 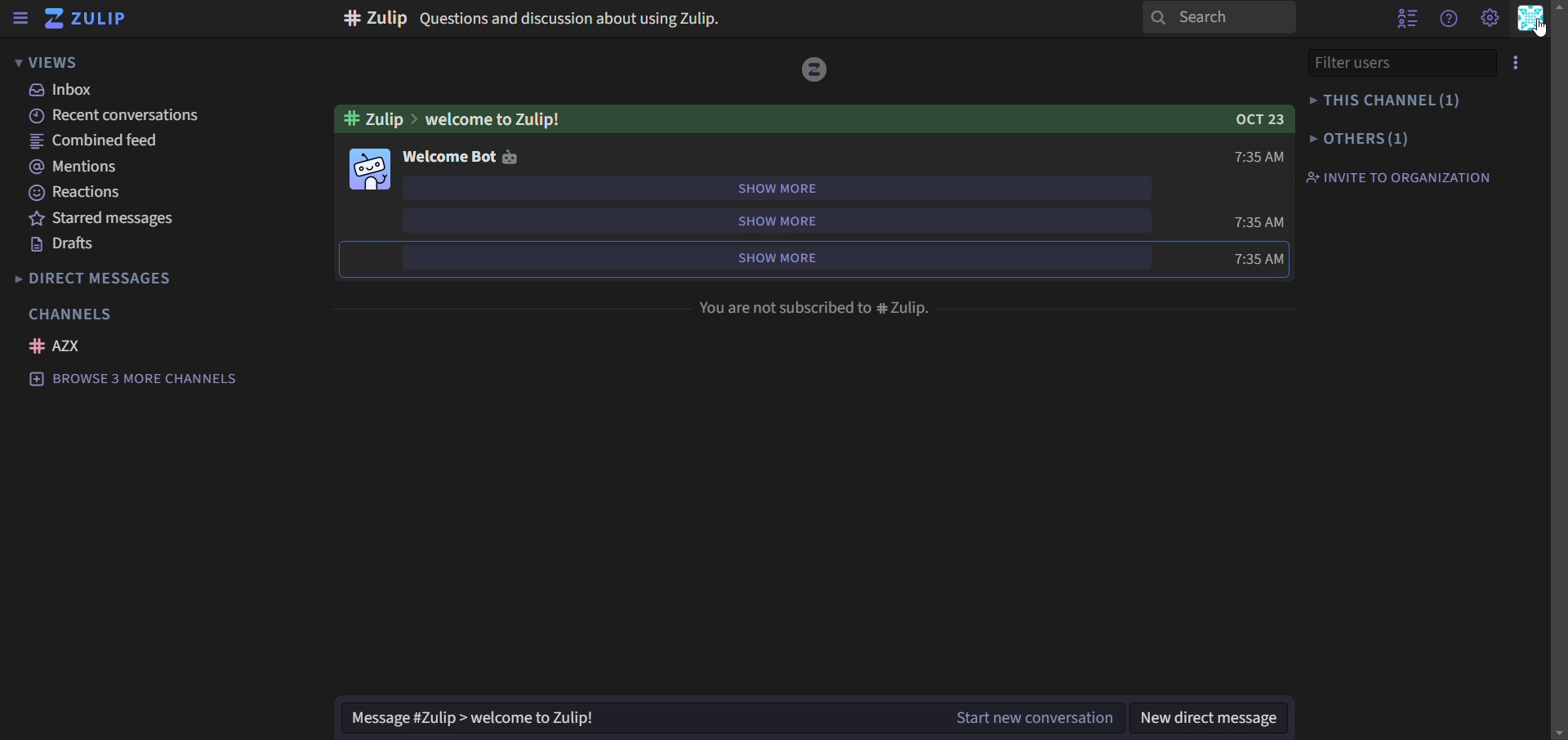 I want to click on #zulip>welcome to Zulip, so click(x=467, y=116).